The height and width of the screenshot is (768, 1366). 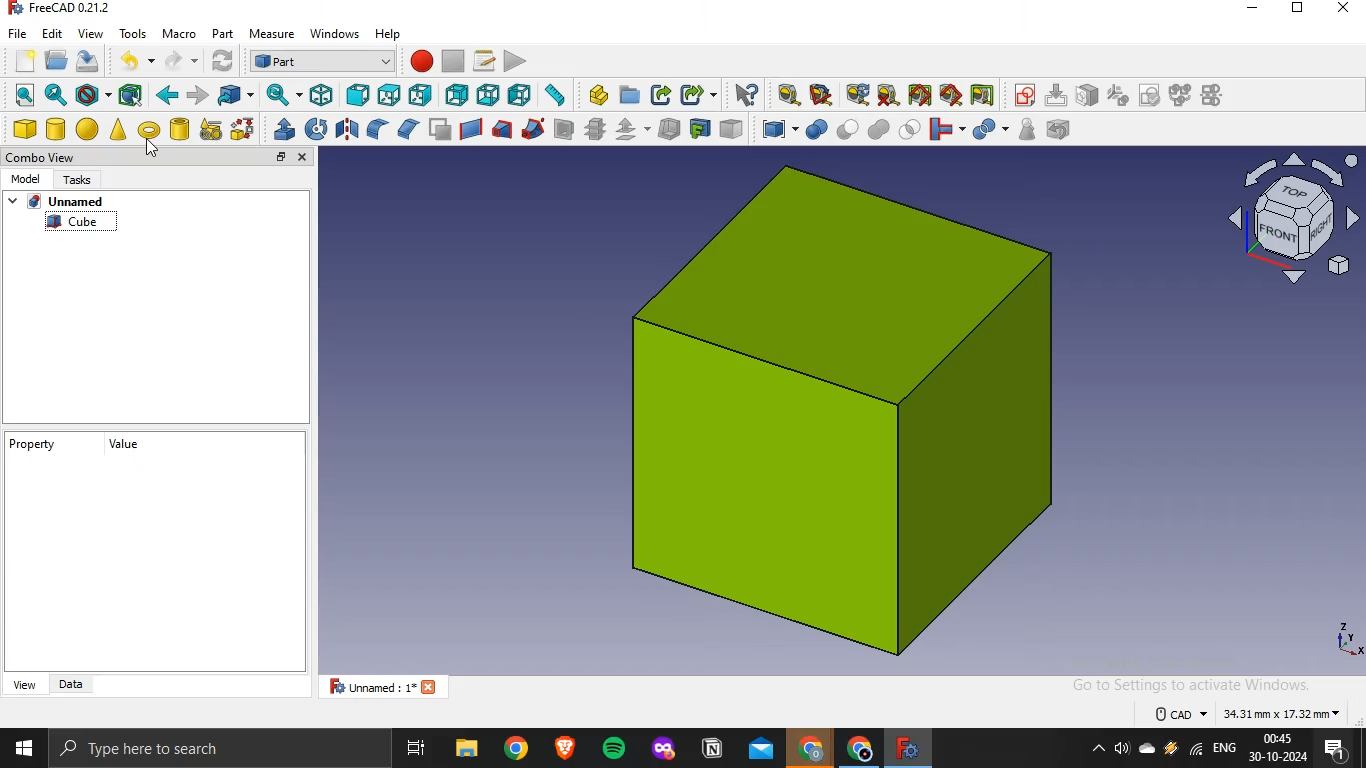 I want to click on bounding box, so click(x=129, y=95).